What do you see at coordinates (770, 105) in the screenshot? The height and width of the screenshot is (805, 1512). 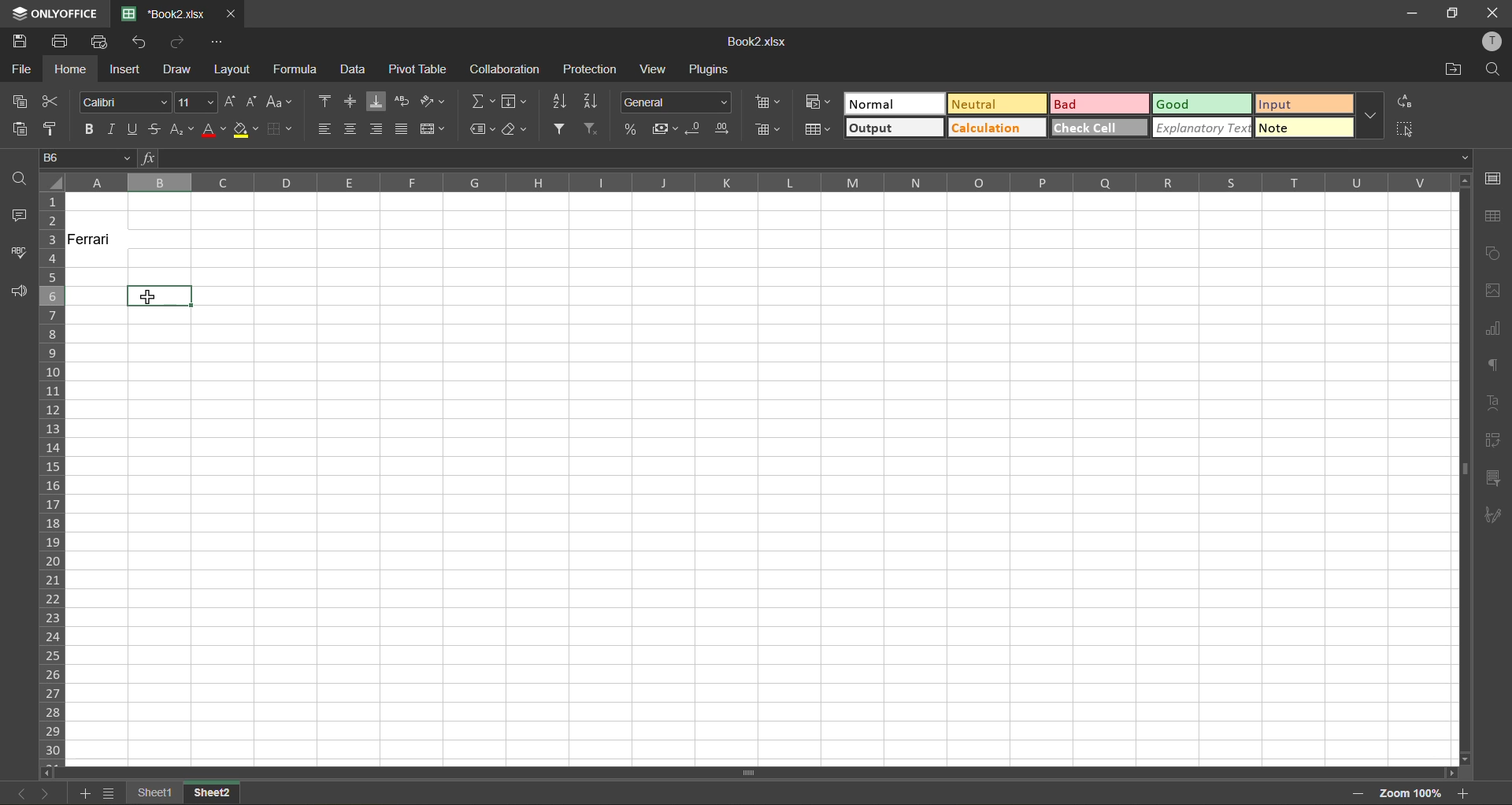 I see `insert cells` at bounding box center [770, 105].